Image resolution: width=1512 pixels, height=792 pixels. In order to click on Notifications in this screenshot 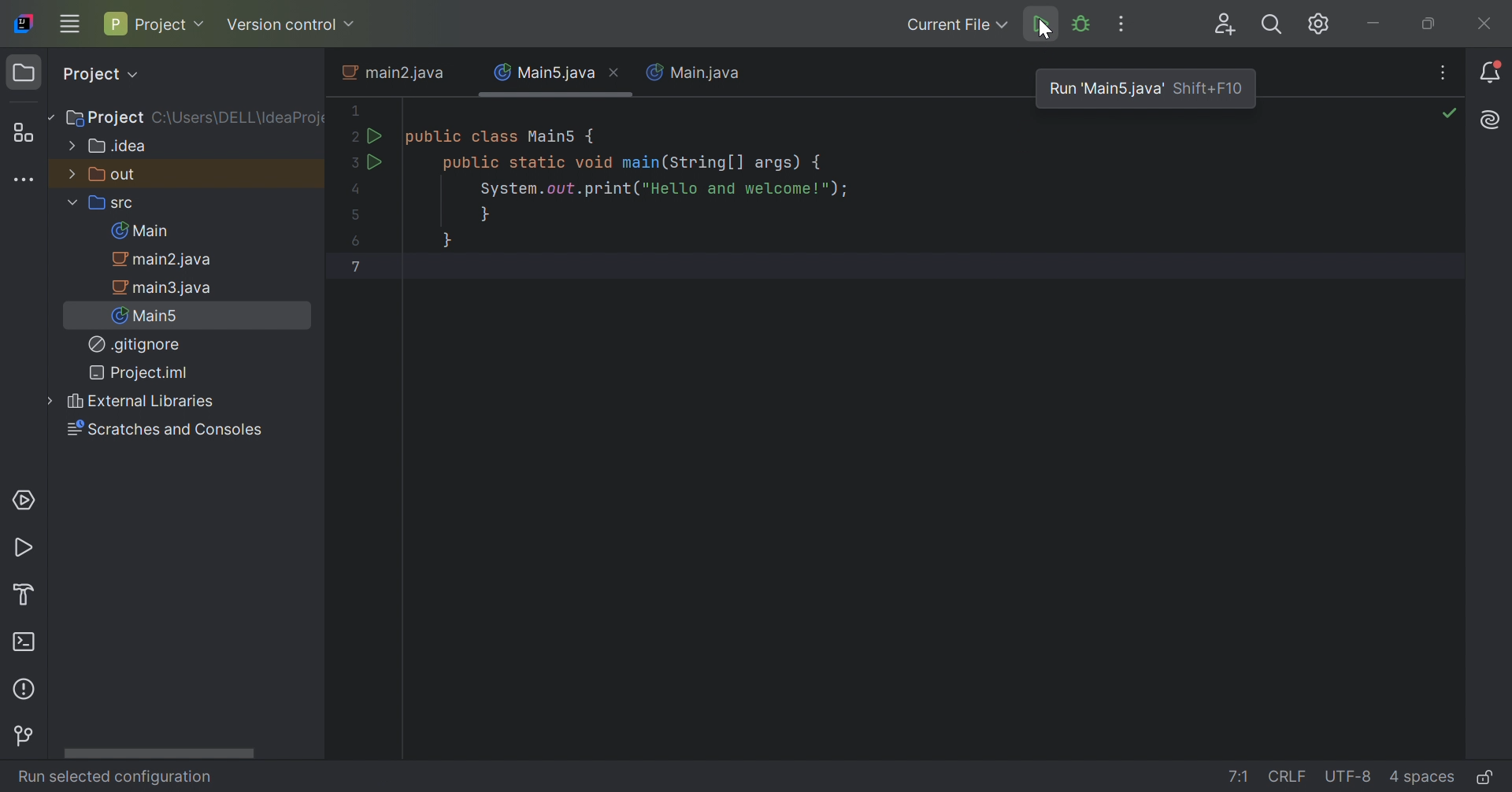, I will do `click(1495, 71)`.